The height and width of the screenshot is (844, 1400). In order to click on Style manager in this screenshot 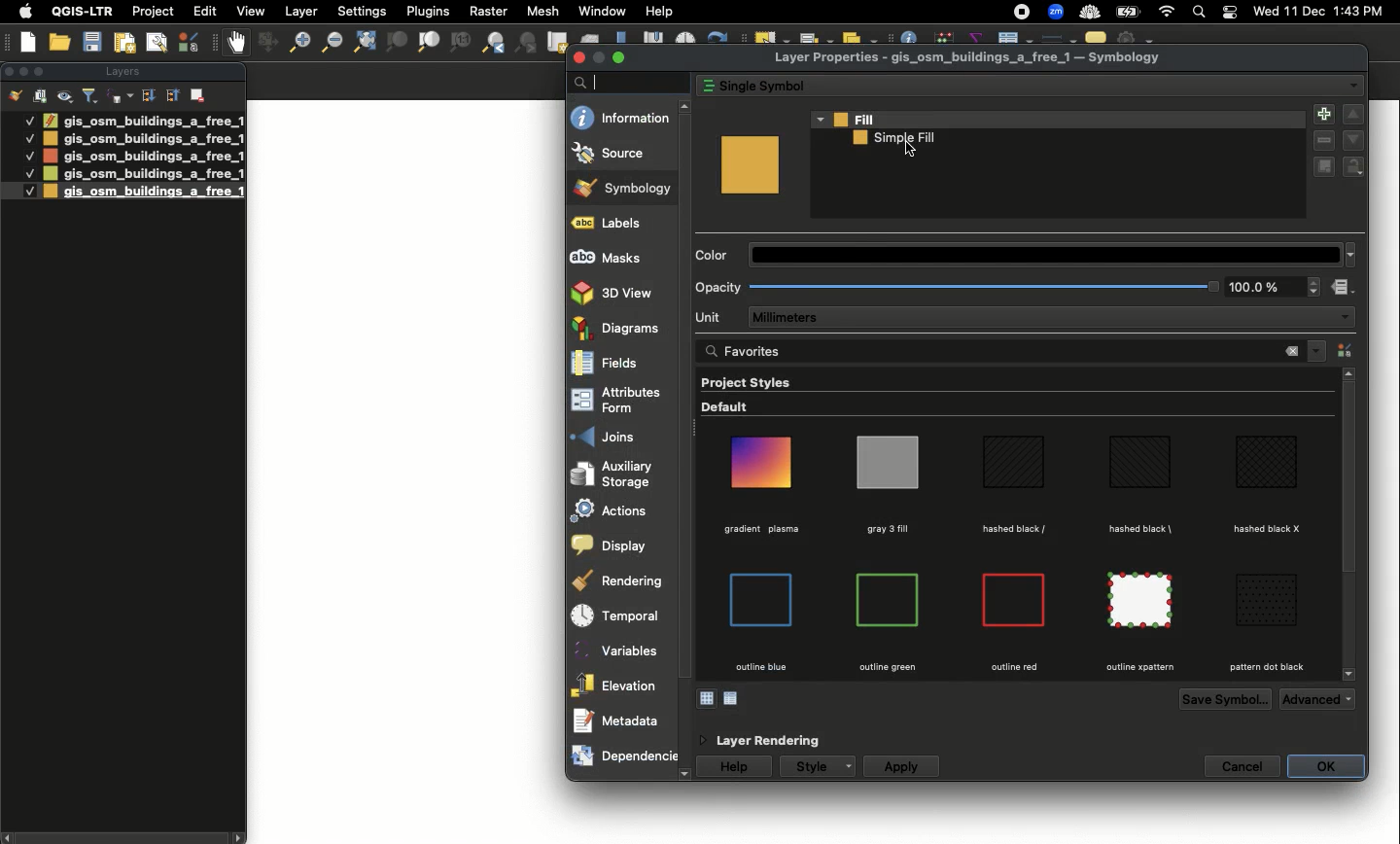, I will do `click(191, 42)`.